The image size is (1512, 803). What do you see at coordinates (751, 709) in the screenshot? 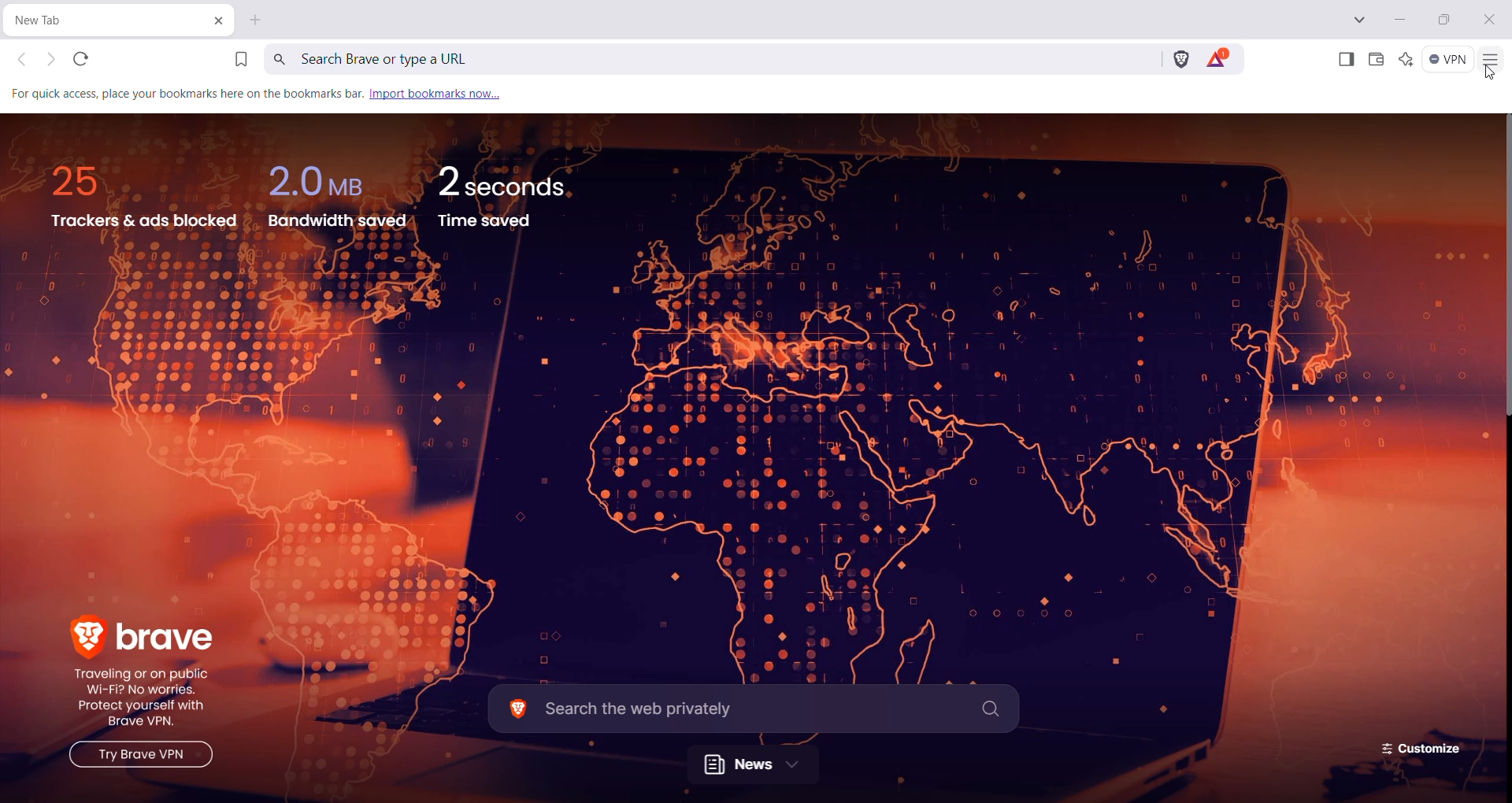
I see `search the web privately` at bounding box center [751, 709].